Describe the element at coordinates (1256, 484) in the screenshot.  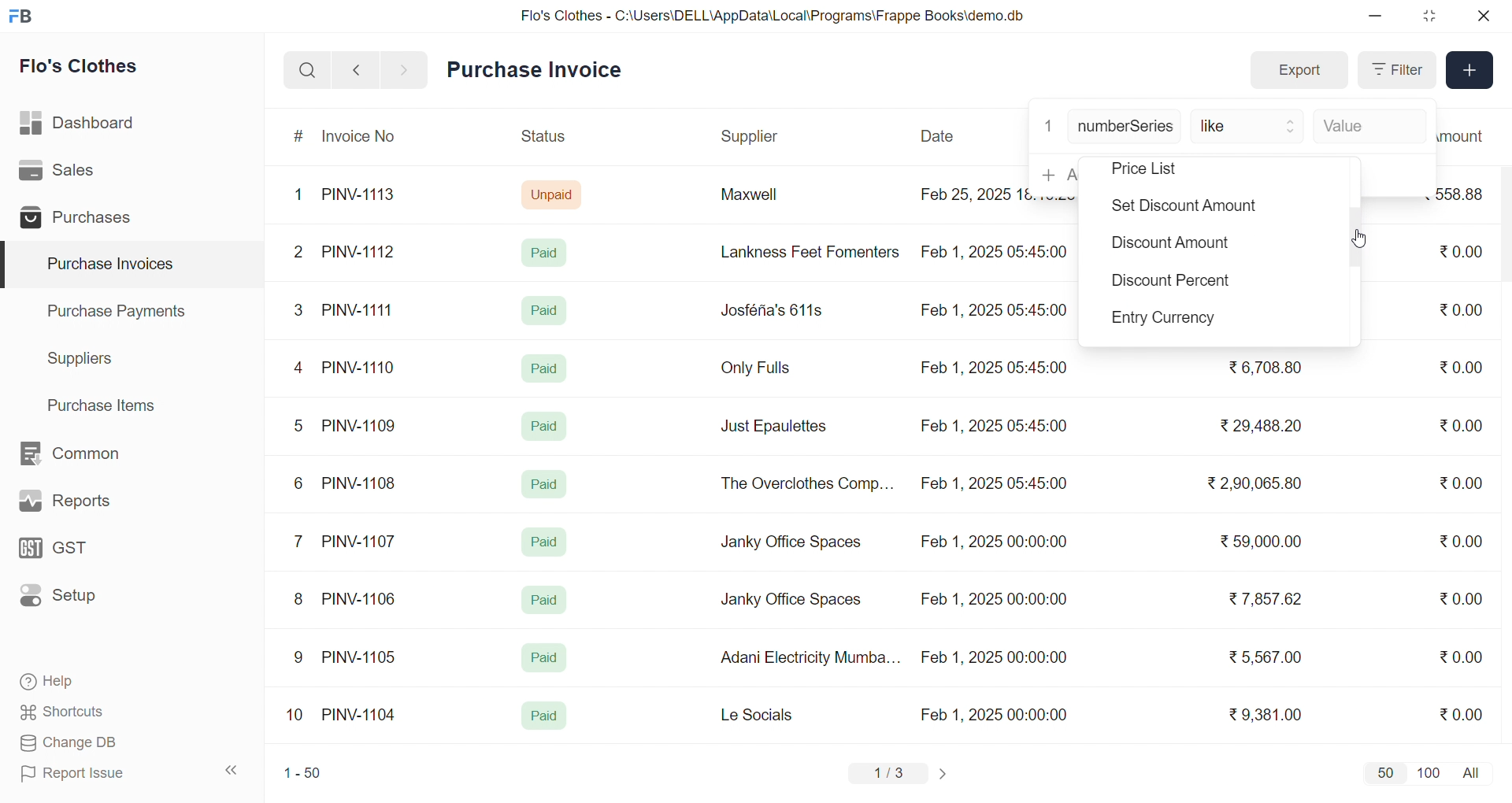
I see `₹ 2,90,065.80` at that location.